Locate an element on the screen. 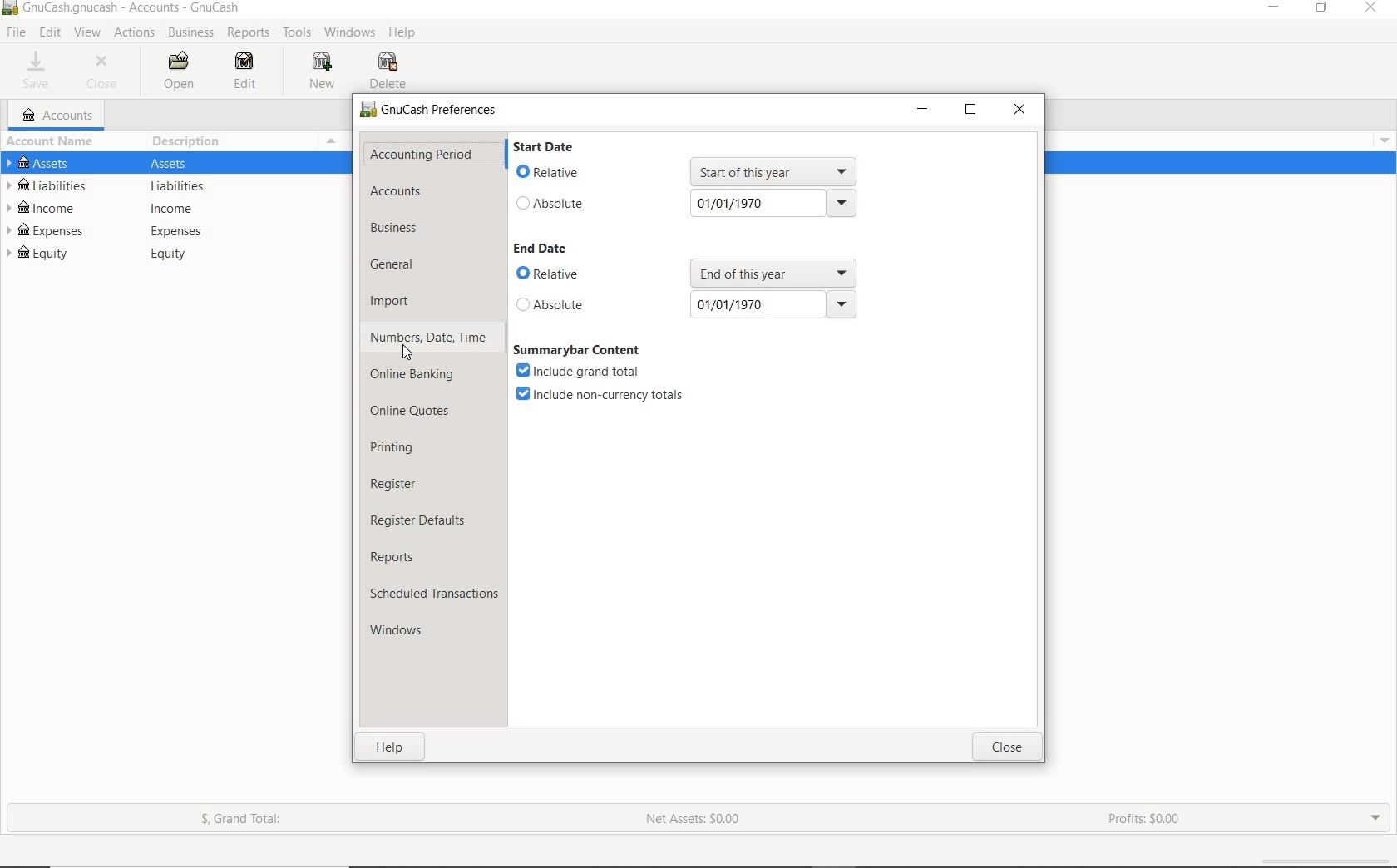  business is located at coordinates (417, 230).